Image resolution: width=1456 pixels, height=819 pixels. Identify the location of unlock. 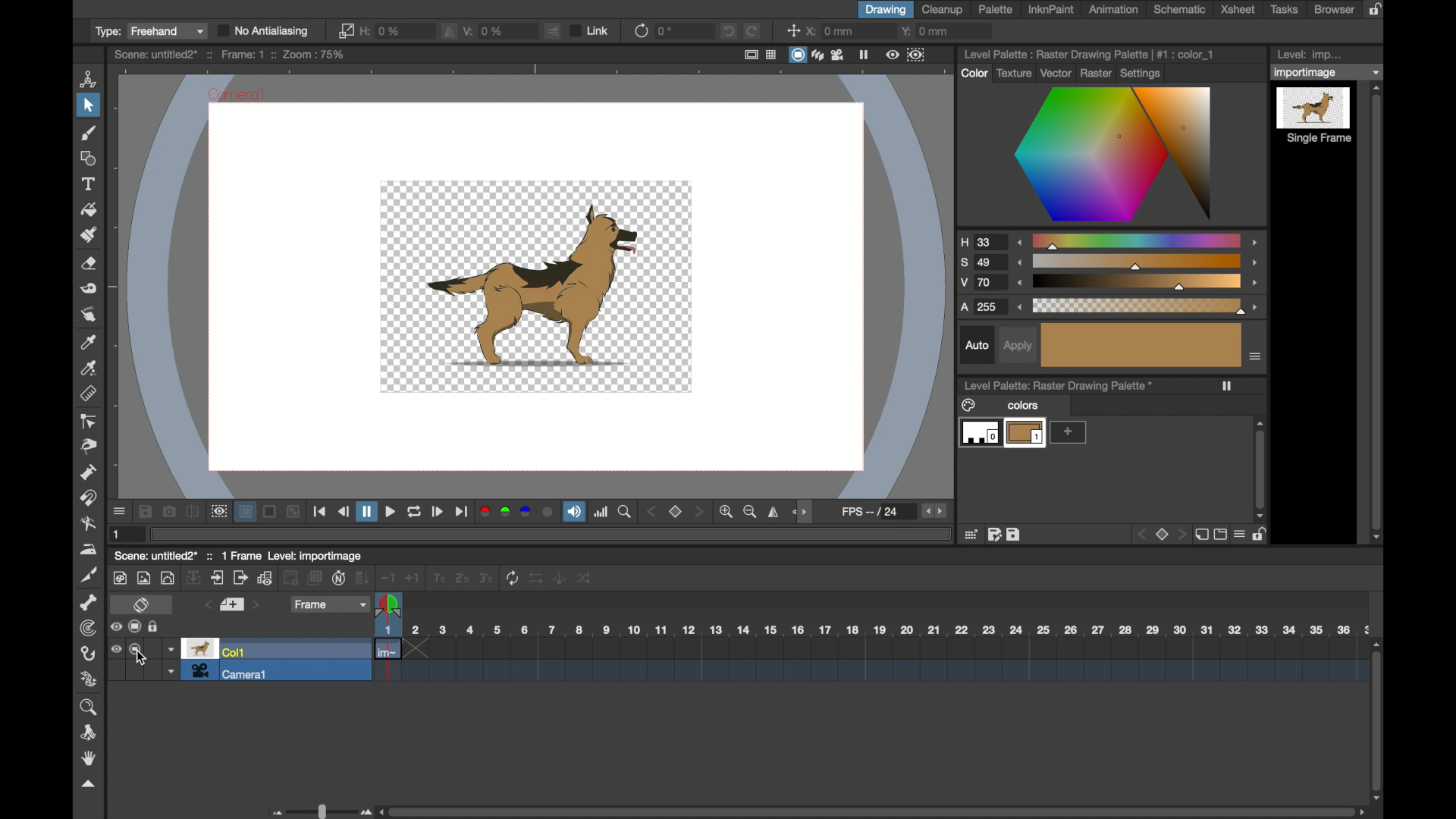
(1261, 535).